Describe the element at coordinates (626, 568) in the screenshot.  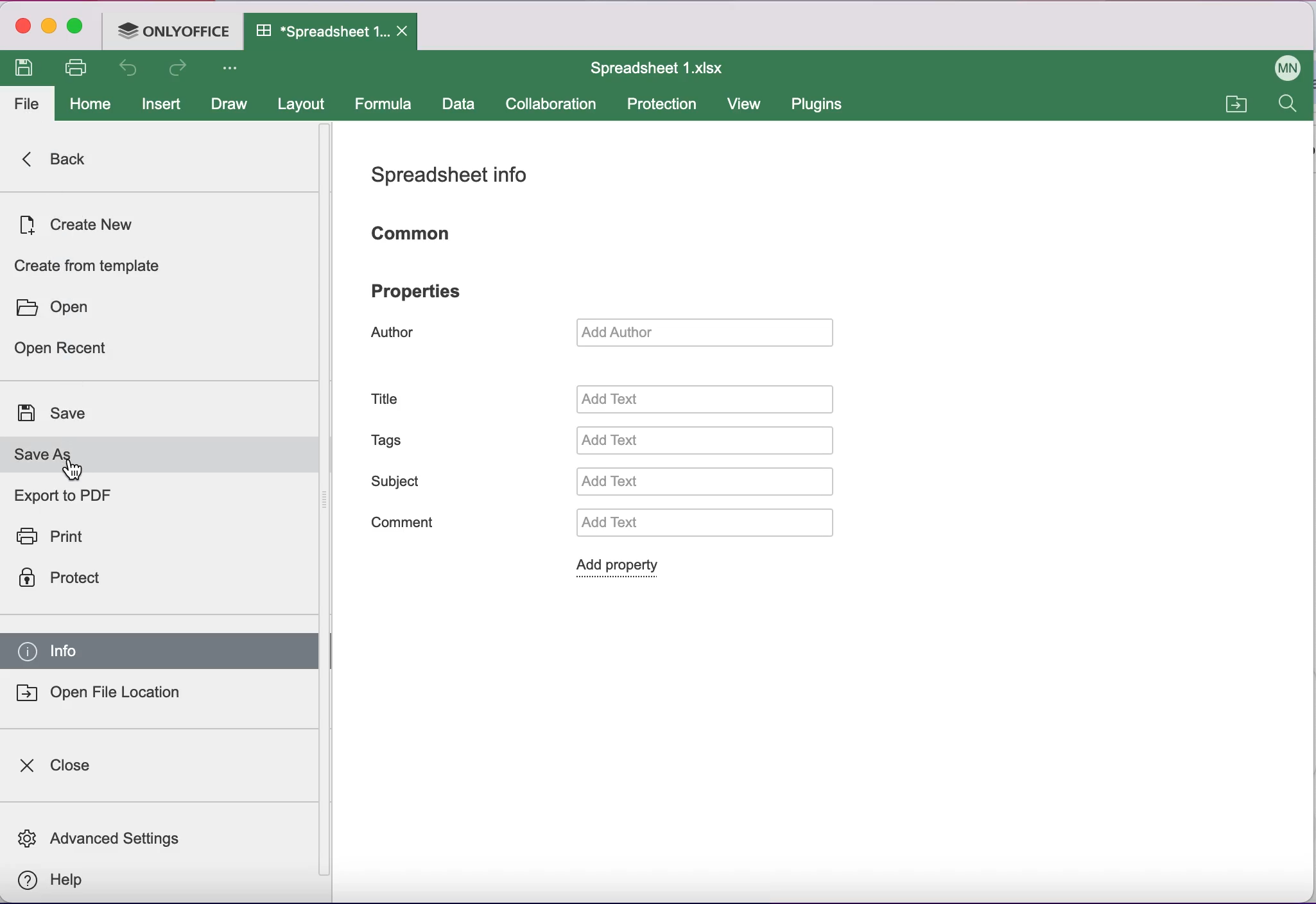
I see `add property` at that location.